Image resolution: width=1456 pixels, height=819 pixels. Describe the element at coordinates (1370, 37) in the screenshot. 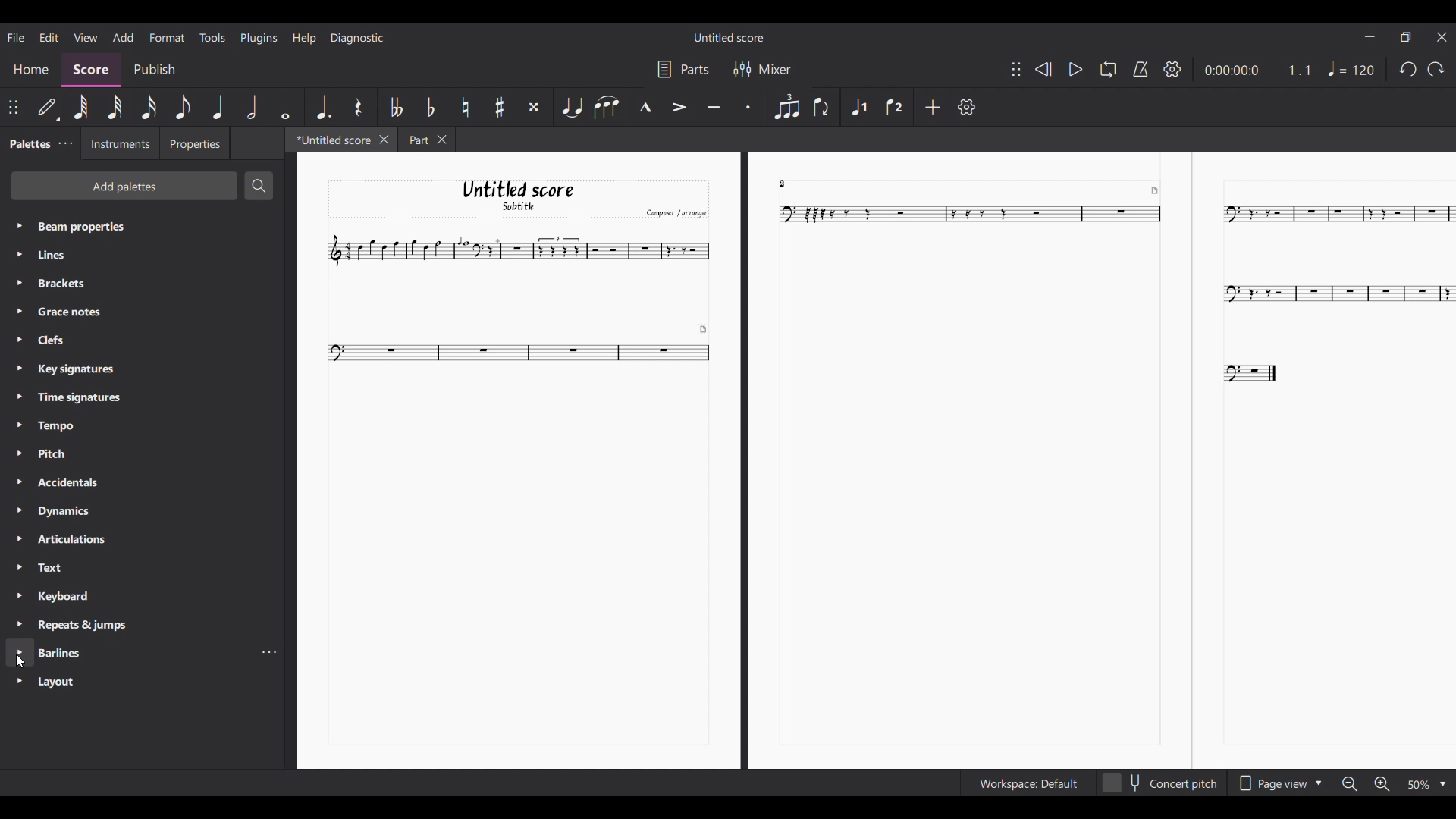

I see `Minimize` at that location.